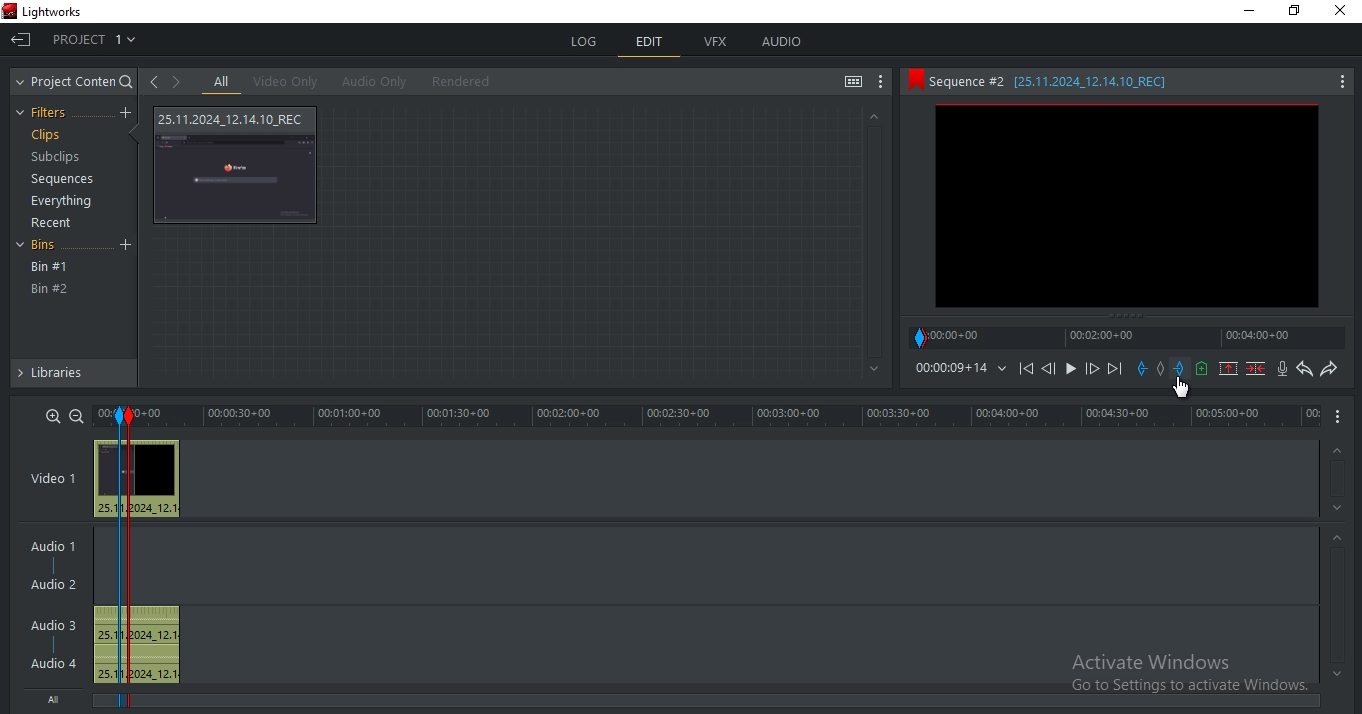 This screenshot has height=714, width=1362. Describe the element at coordinates (1143, 369) in the screenshot. I see `add a in mark` at that location.